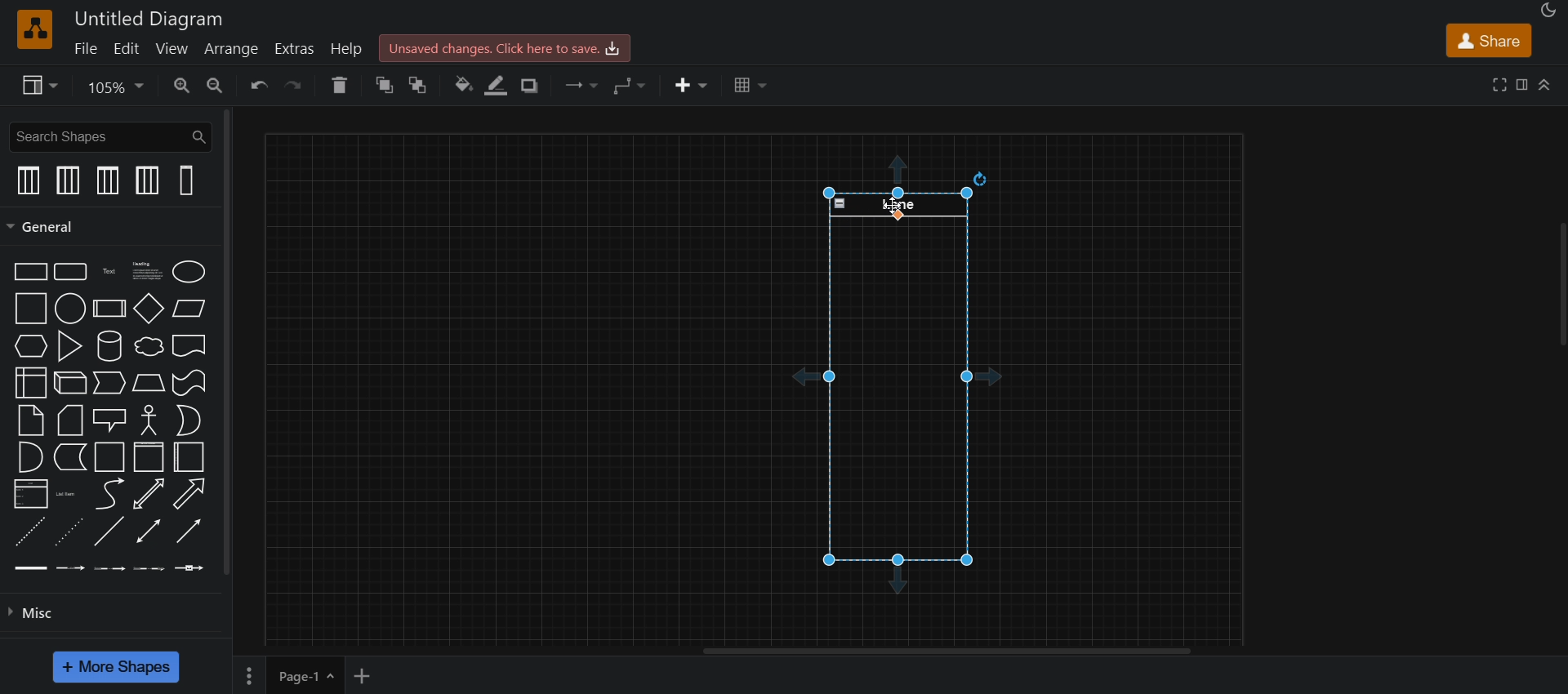  Describe the element at coordinates (32, 348) in the screenshot. I see `hexagon` at that location.